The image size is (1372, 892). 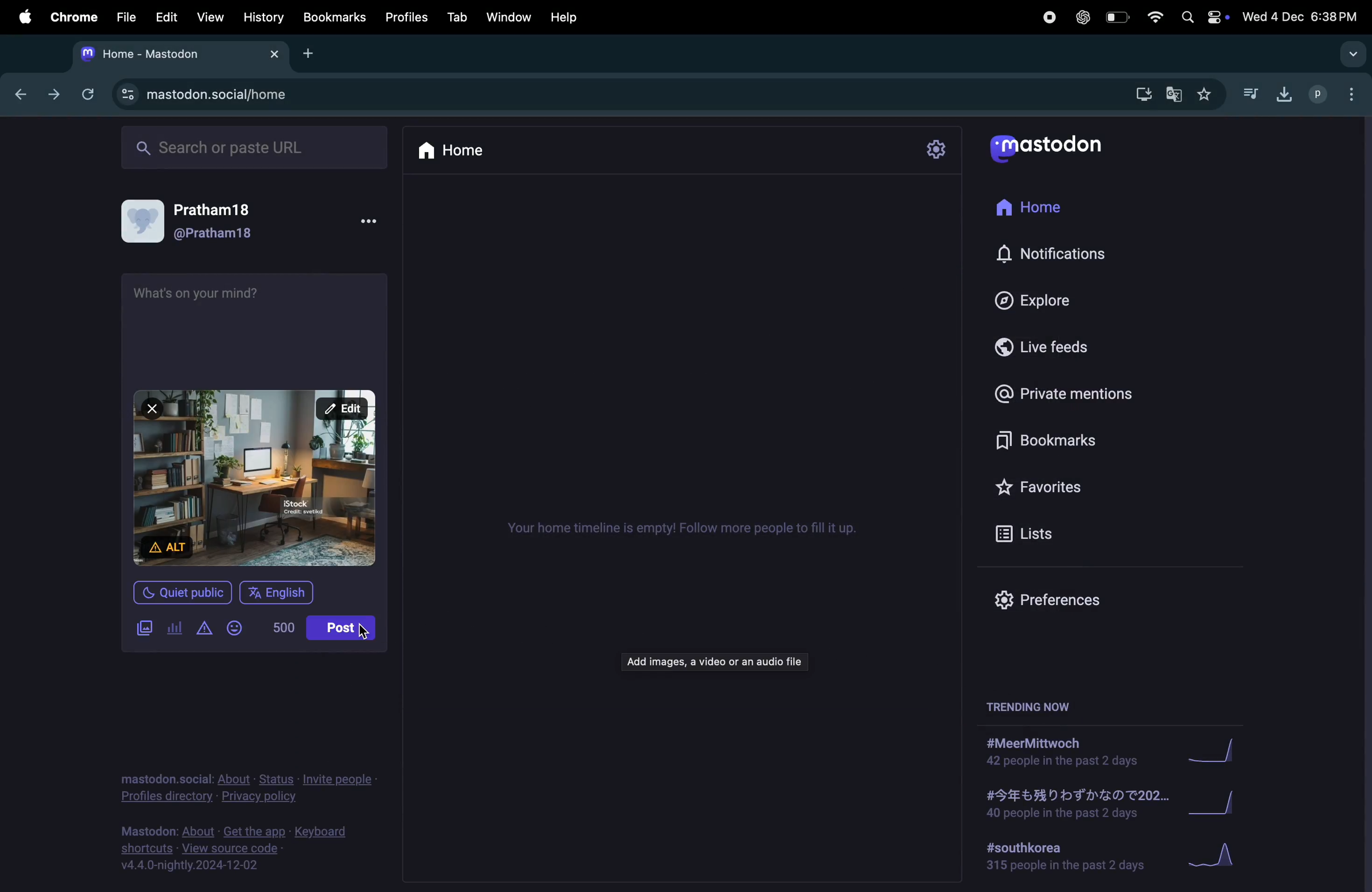 I want to click on , so click(x=260, y=478).